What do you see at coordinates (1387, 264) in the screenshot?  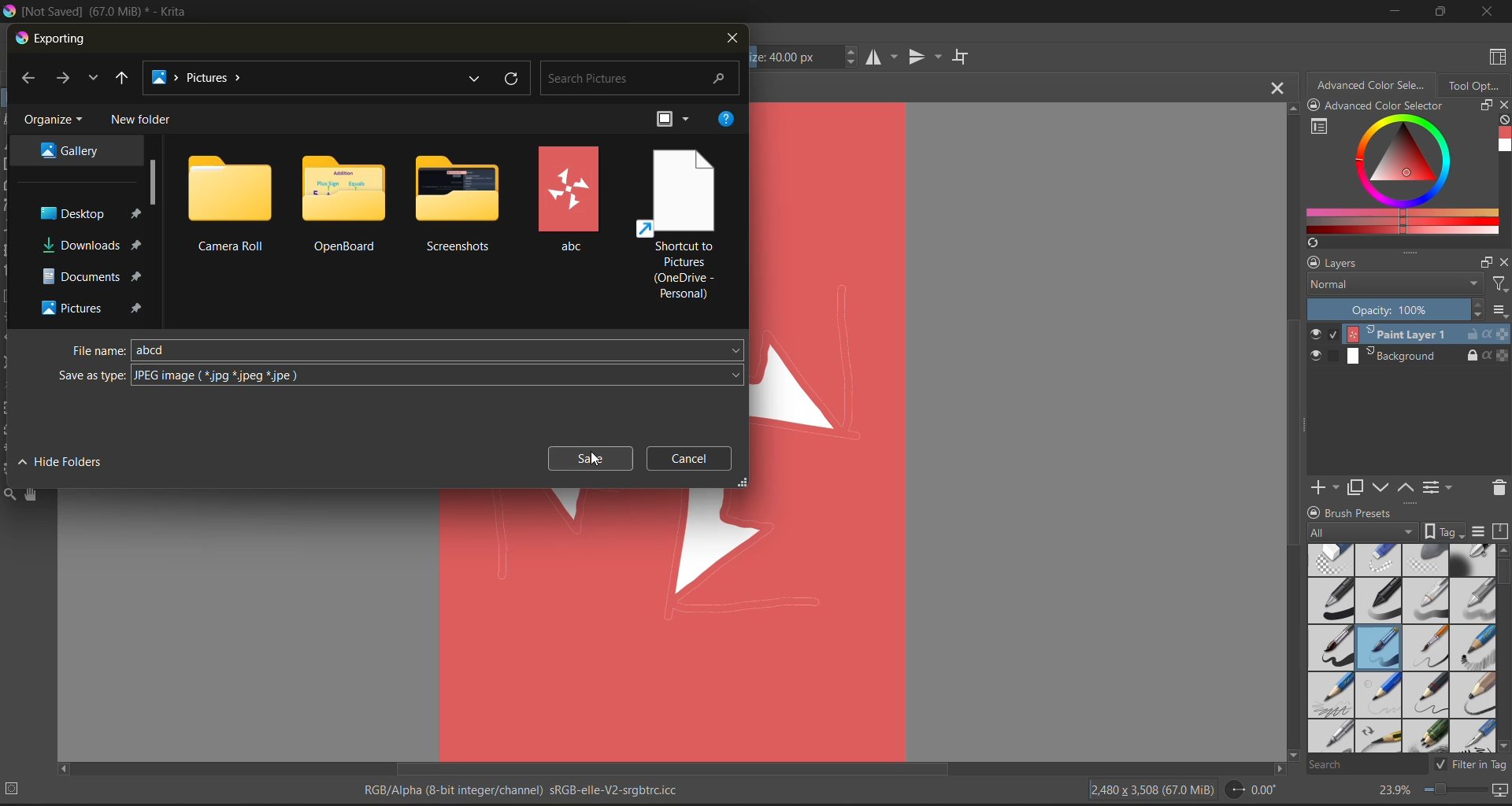 I see `layers` at bounding box center [1387, 264].